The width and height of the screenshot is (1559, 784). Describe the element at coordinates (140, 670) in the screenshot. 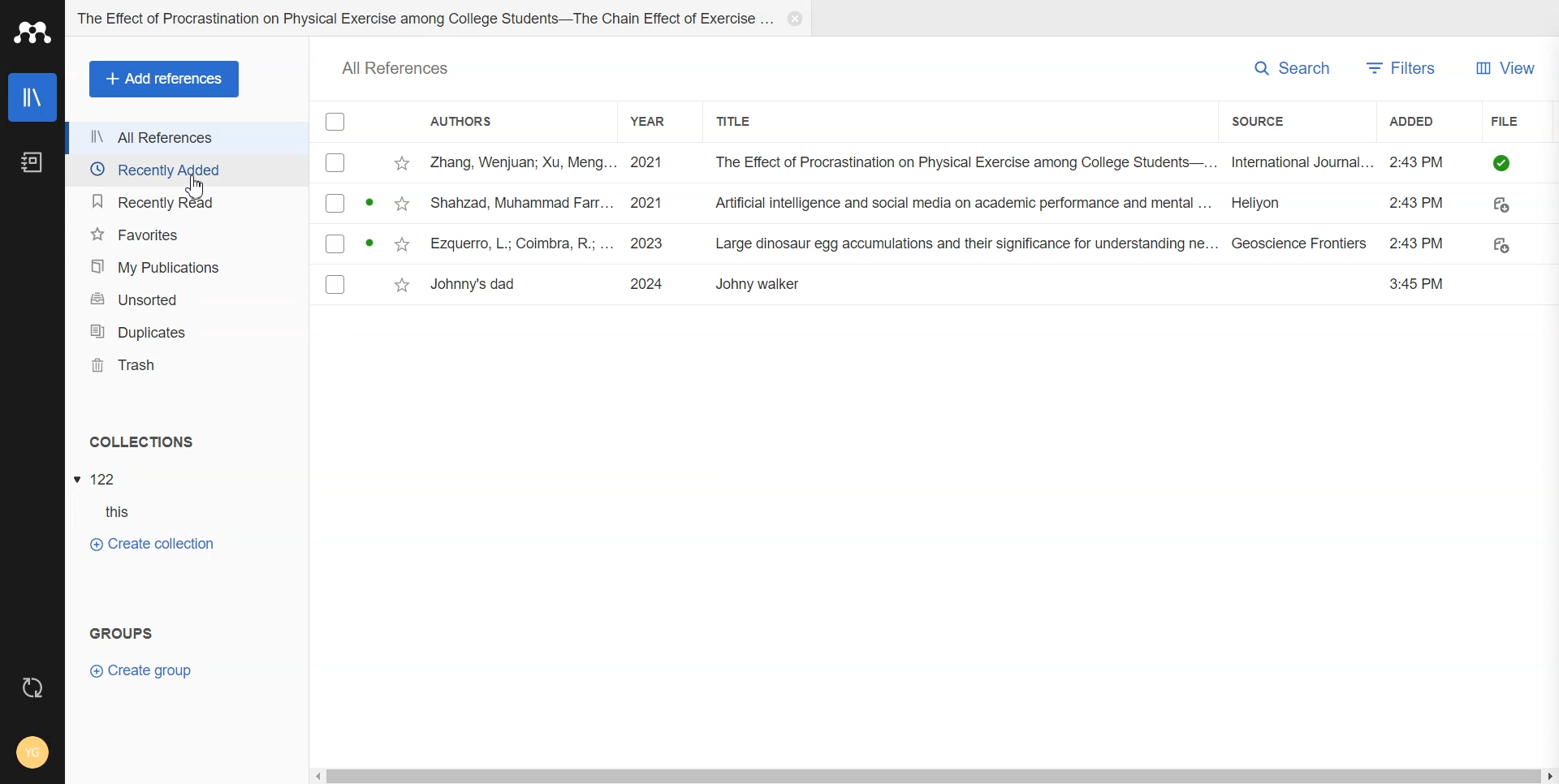

I see `Create group` at that location.